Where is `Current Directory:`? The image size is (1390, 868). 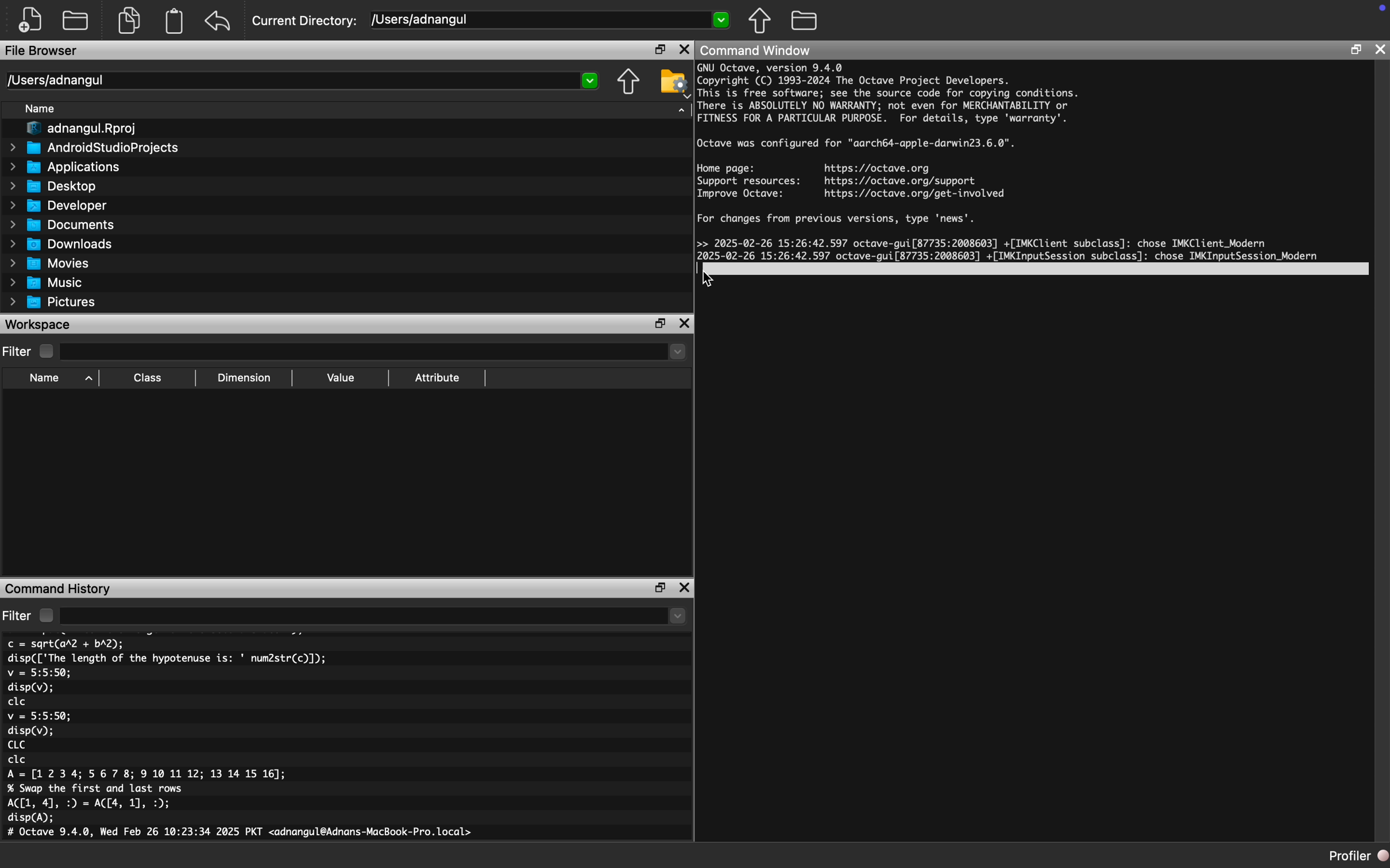
Current Directory: is located at coordinates (307, 21).